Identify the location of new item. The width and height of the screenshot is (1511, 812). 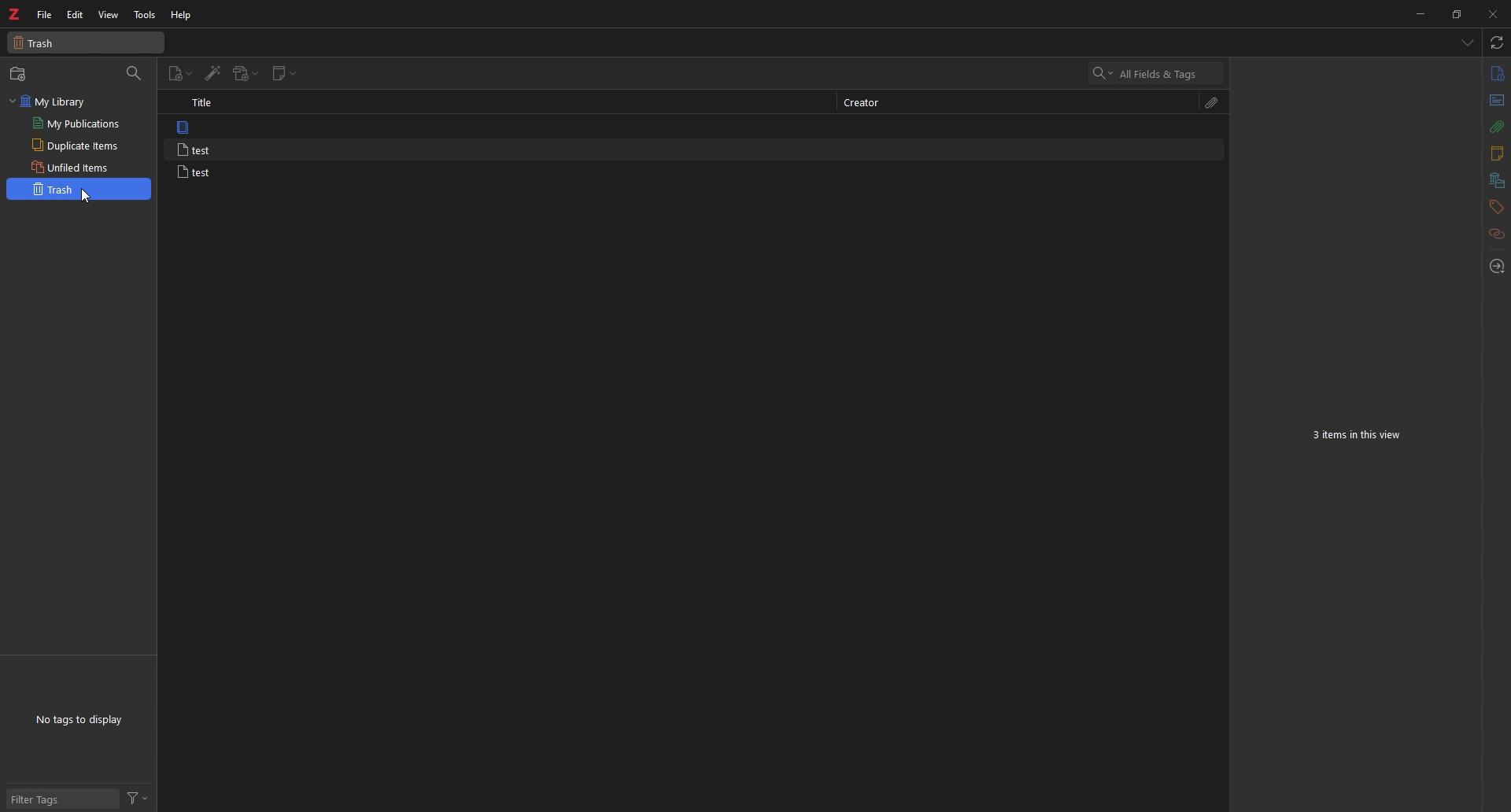
(181, 74).